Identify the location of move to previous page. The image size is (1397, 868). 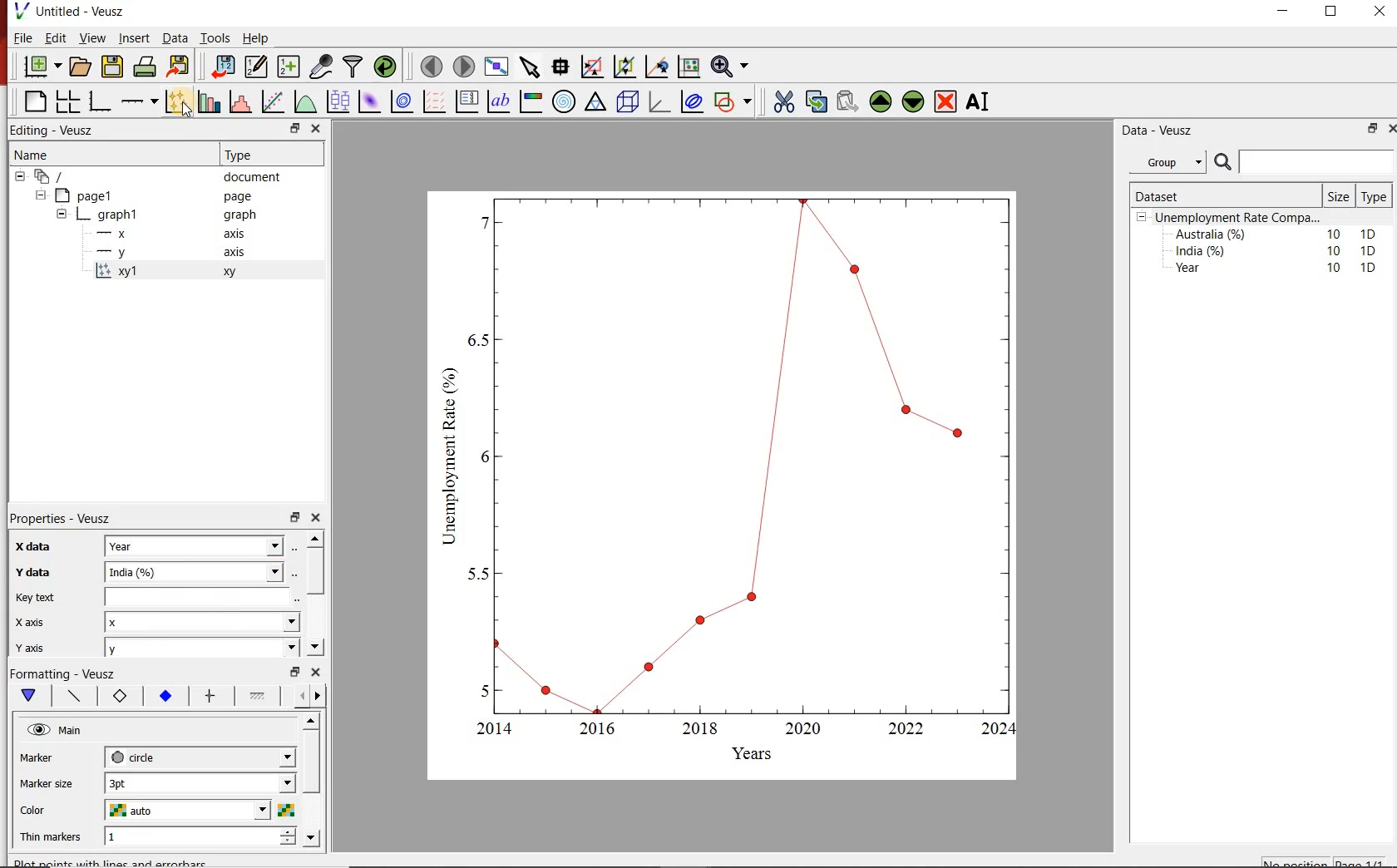
(432, 65).